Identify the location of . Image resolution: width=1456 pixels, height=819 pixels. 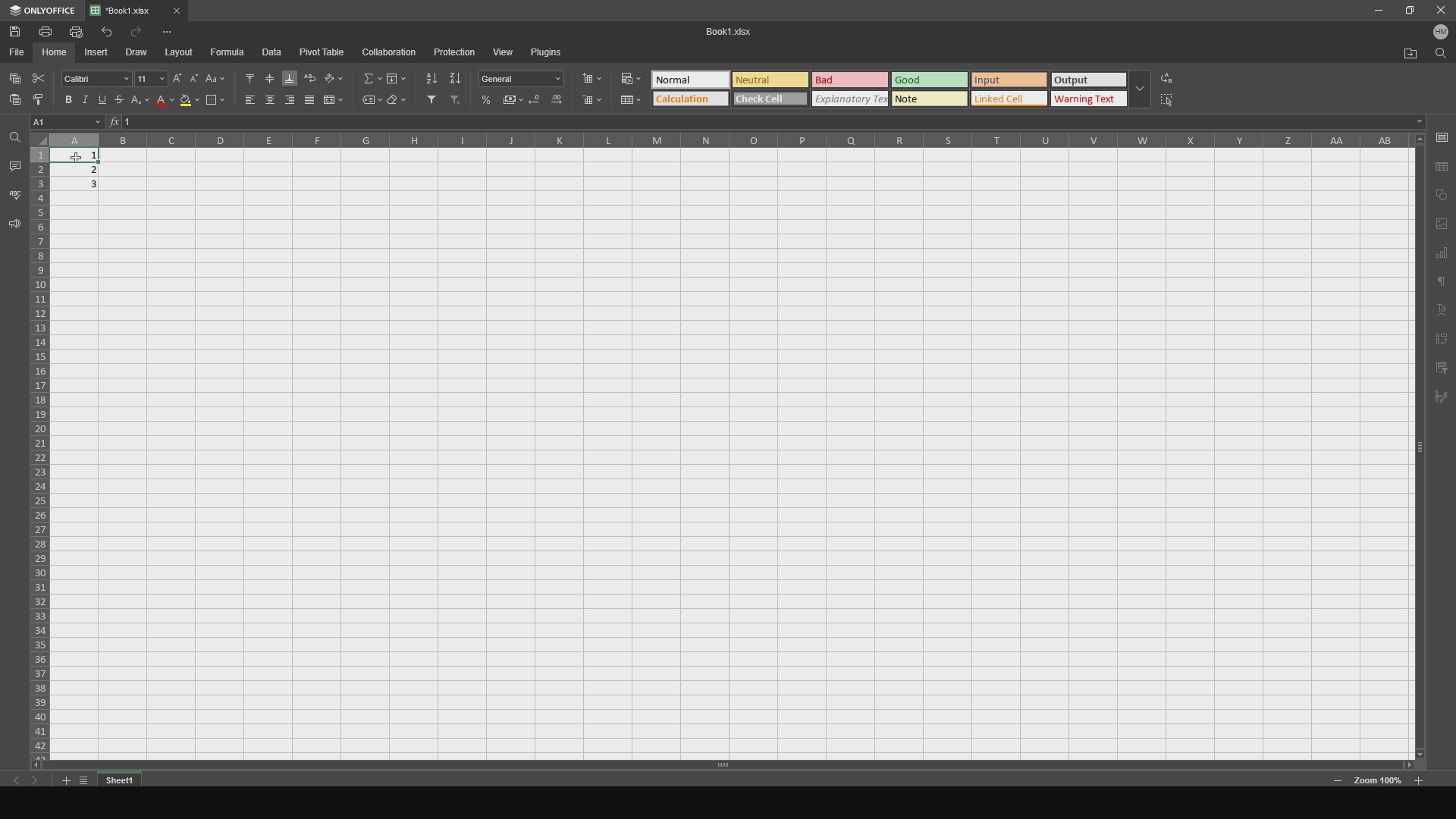
(526, 79).